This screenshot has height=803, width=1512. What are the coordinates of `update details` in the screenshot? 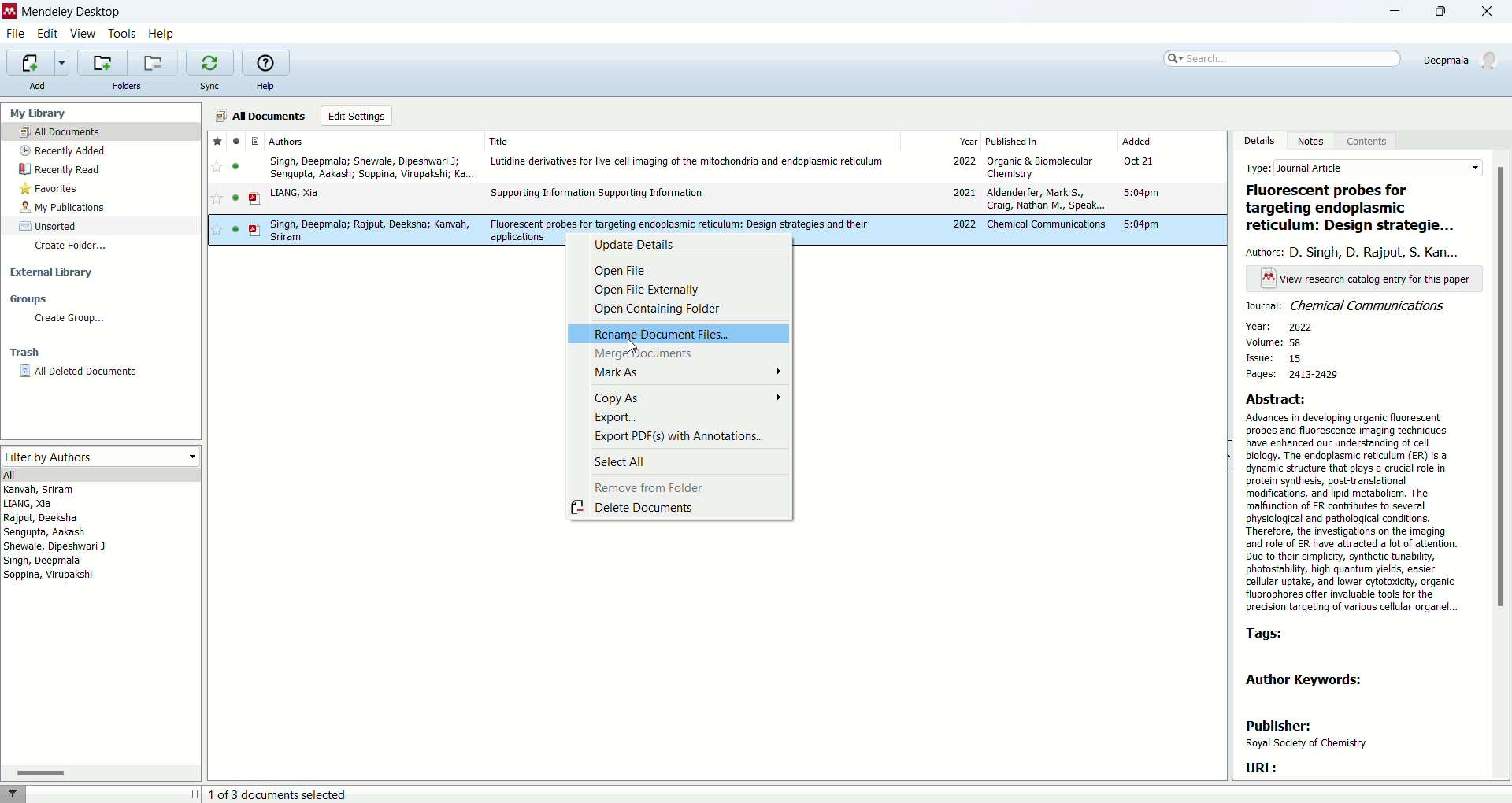 It's located at (682, 249).